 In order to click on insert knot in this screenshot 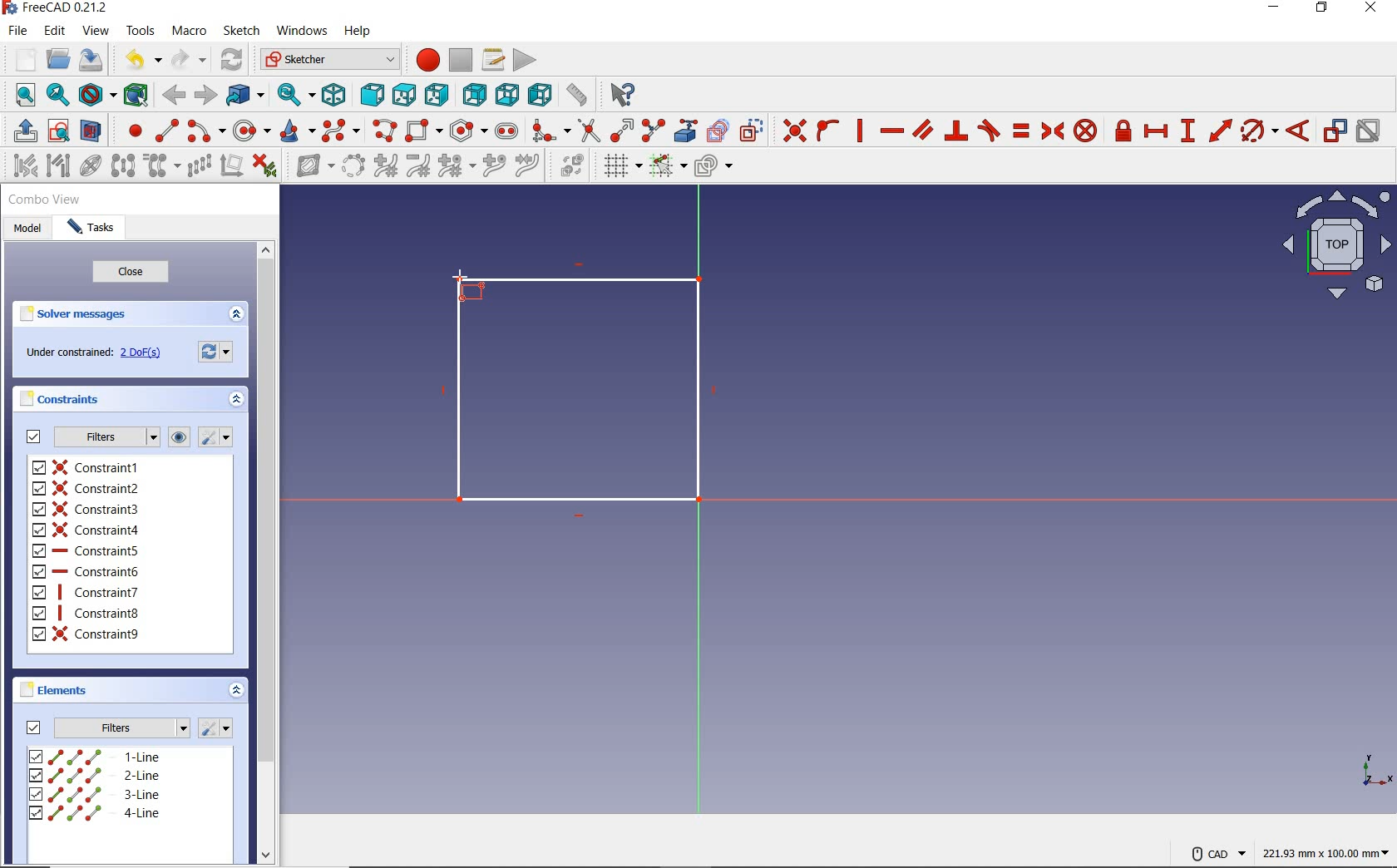, I will do `click(496, 168)`.